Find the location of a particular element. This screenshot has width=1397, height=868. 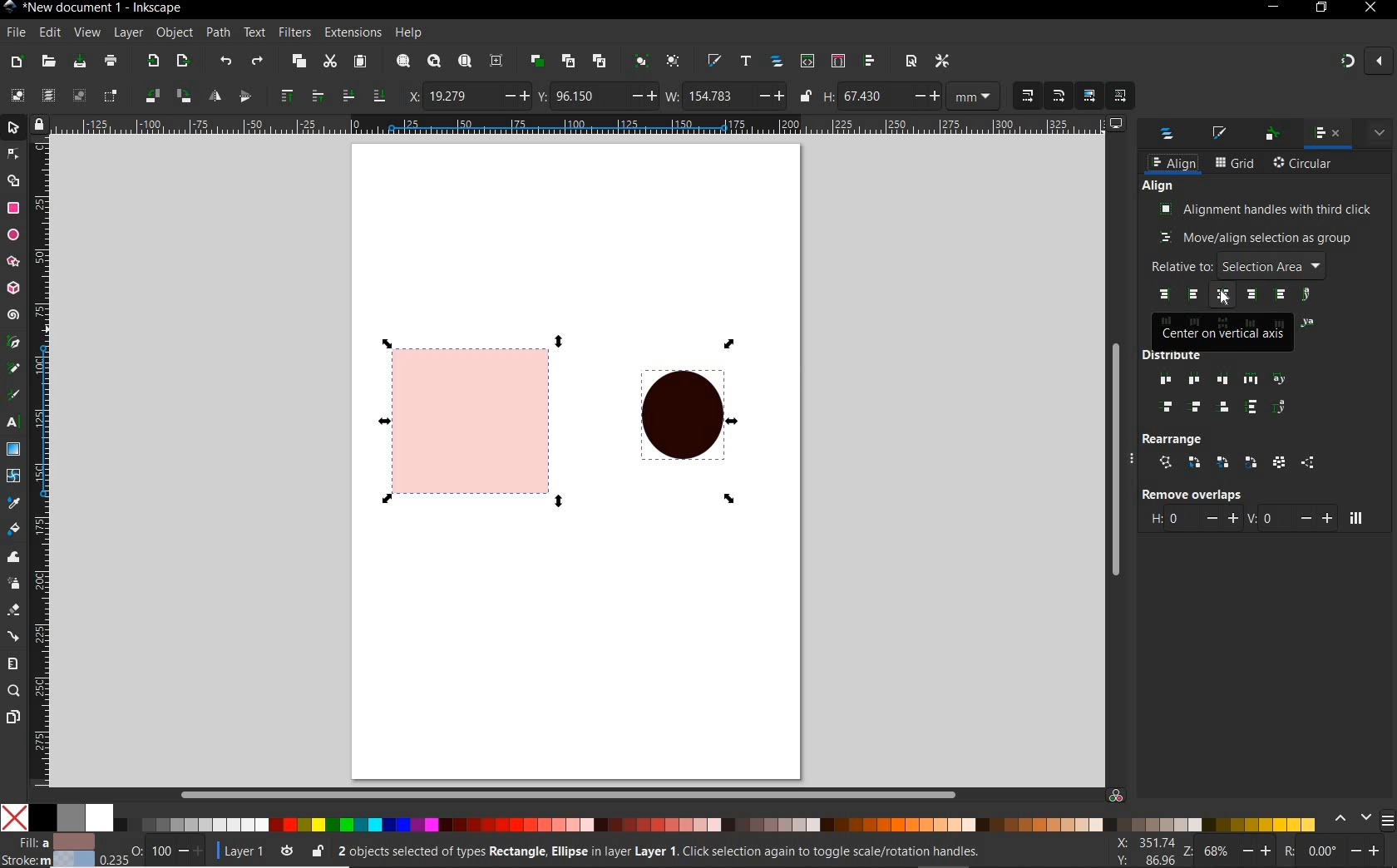

align & distribute is located at coordinates (1326, 135).